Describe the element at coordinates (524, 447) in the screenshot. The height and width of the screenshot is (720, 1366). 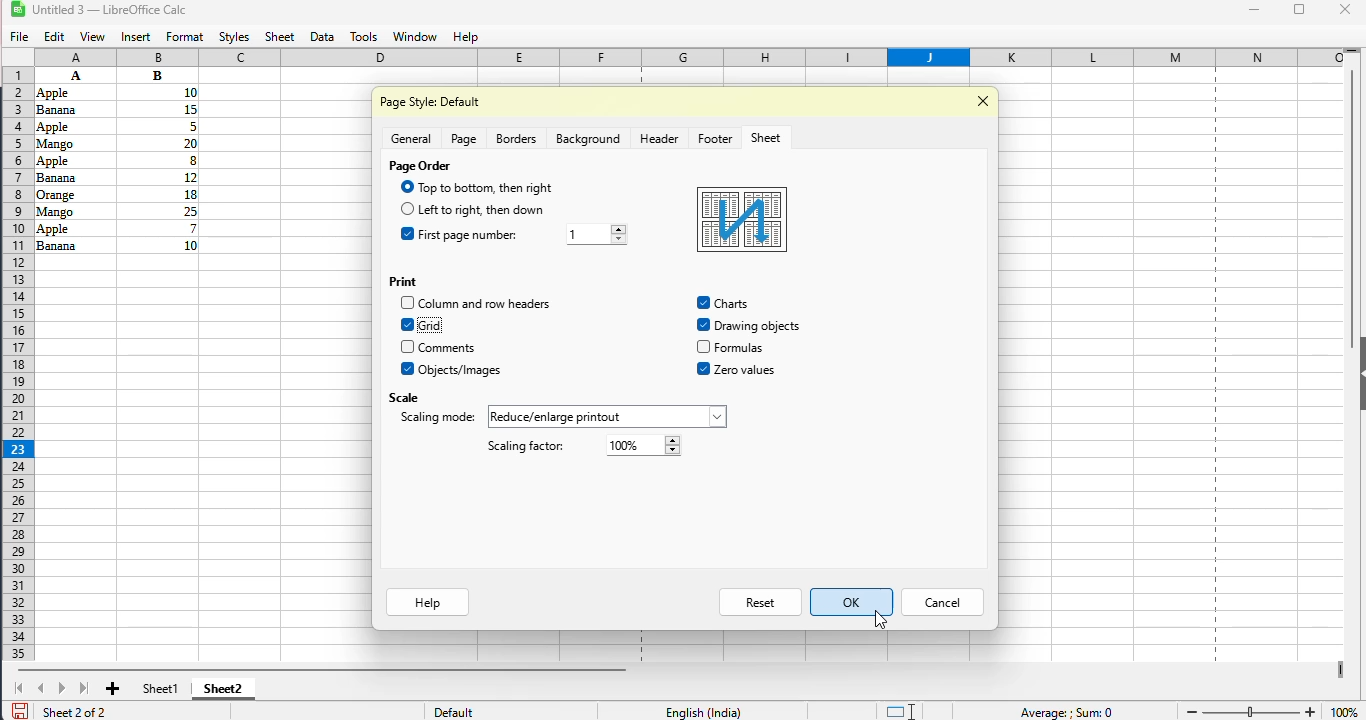
I see `scaling factor: 100%` at that location.